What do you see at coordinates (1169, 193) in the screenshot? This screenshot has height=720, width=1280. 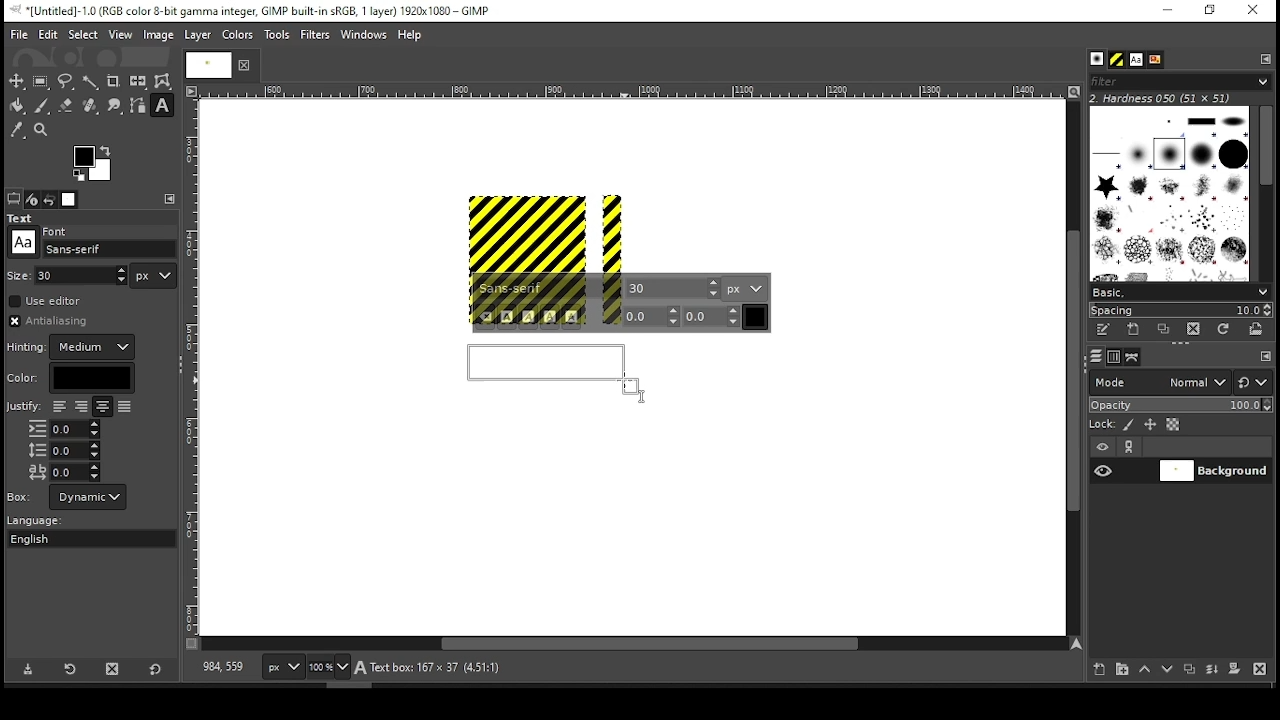 I see `brushes` at bounding box center [1169, 193].